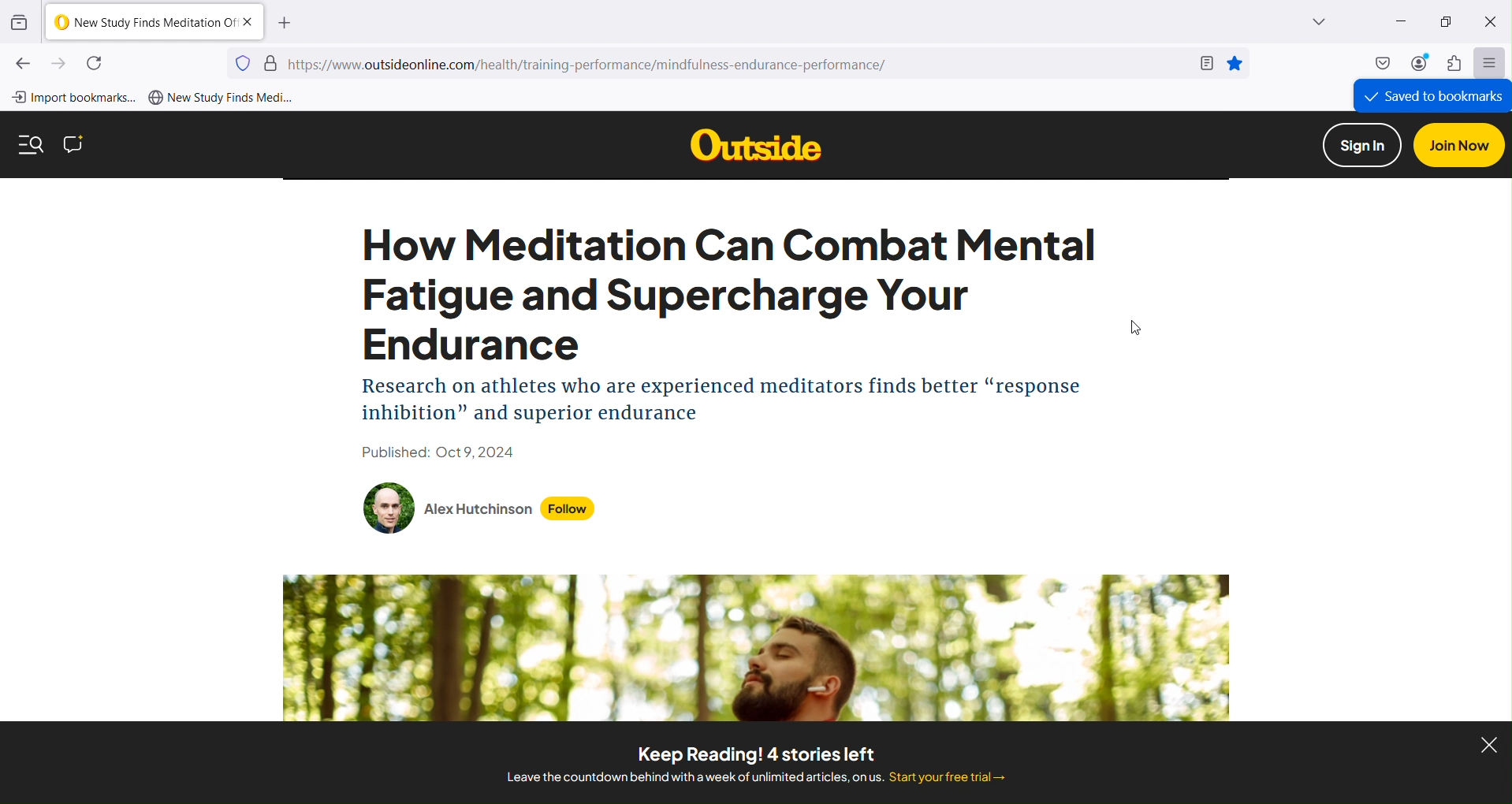 The image size is (1512, 804). Describe the element at coordinates (1398, 22) in the screenshot. I see `Minimize` at that location.